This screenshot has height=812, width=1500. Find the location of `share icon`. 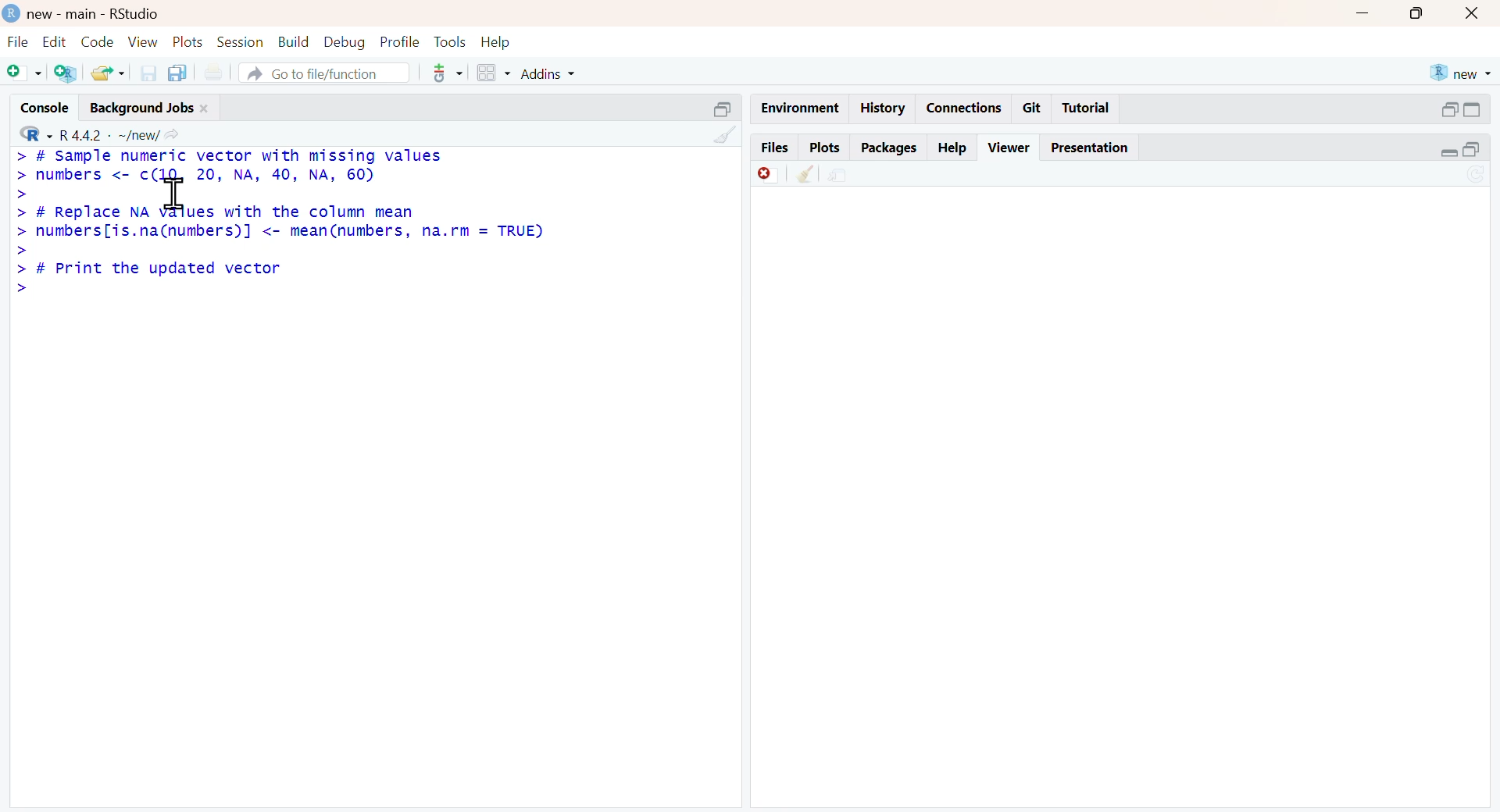

share icon is located at coordinates (171, 135).